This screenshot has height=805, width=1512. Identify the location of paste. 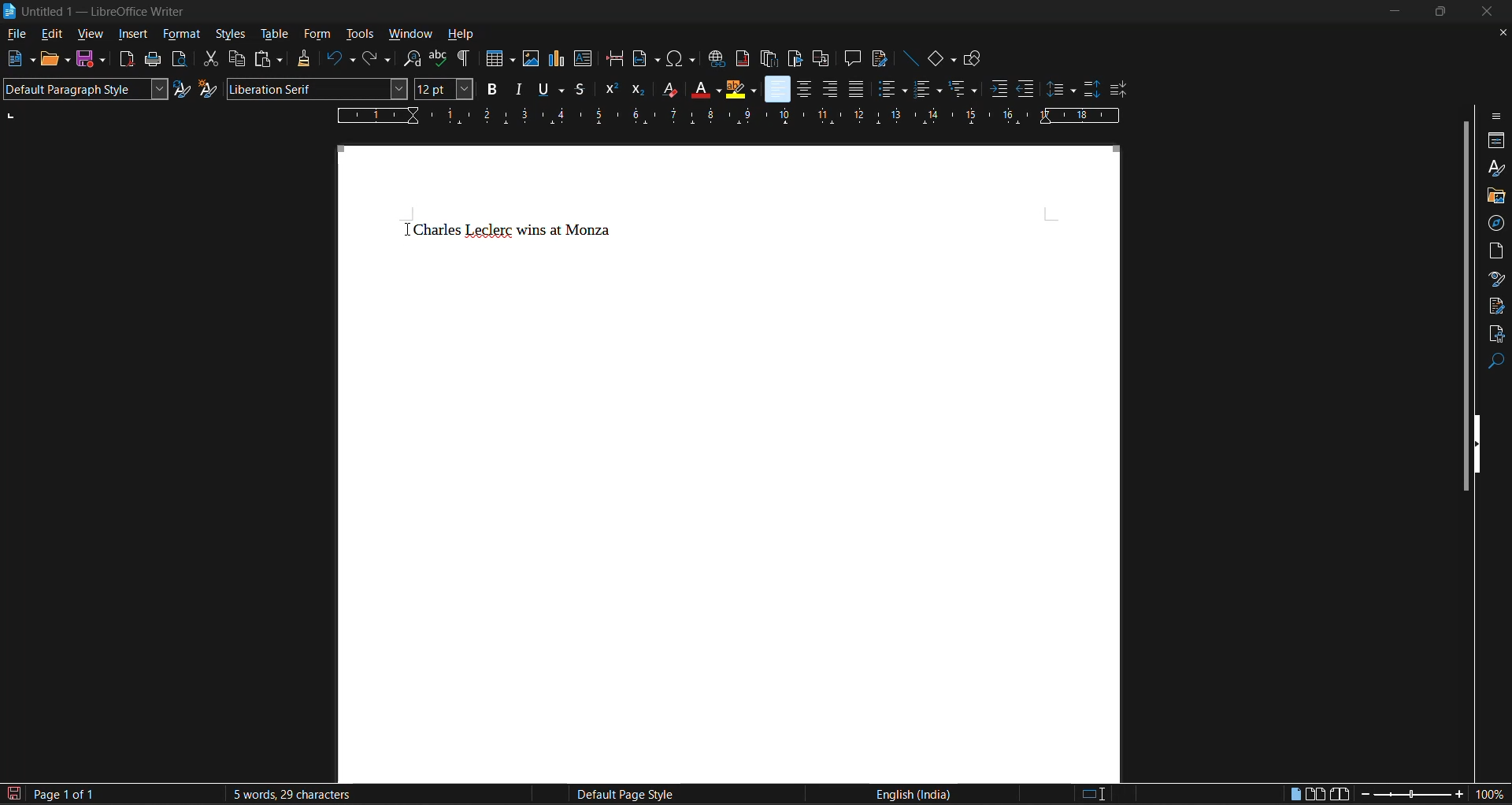
(271, 60).